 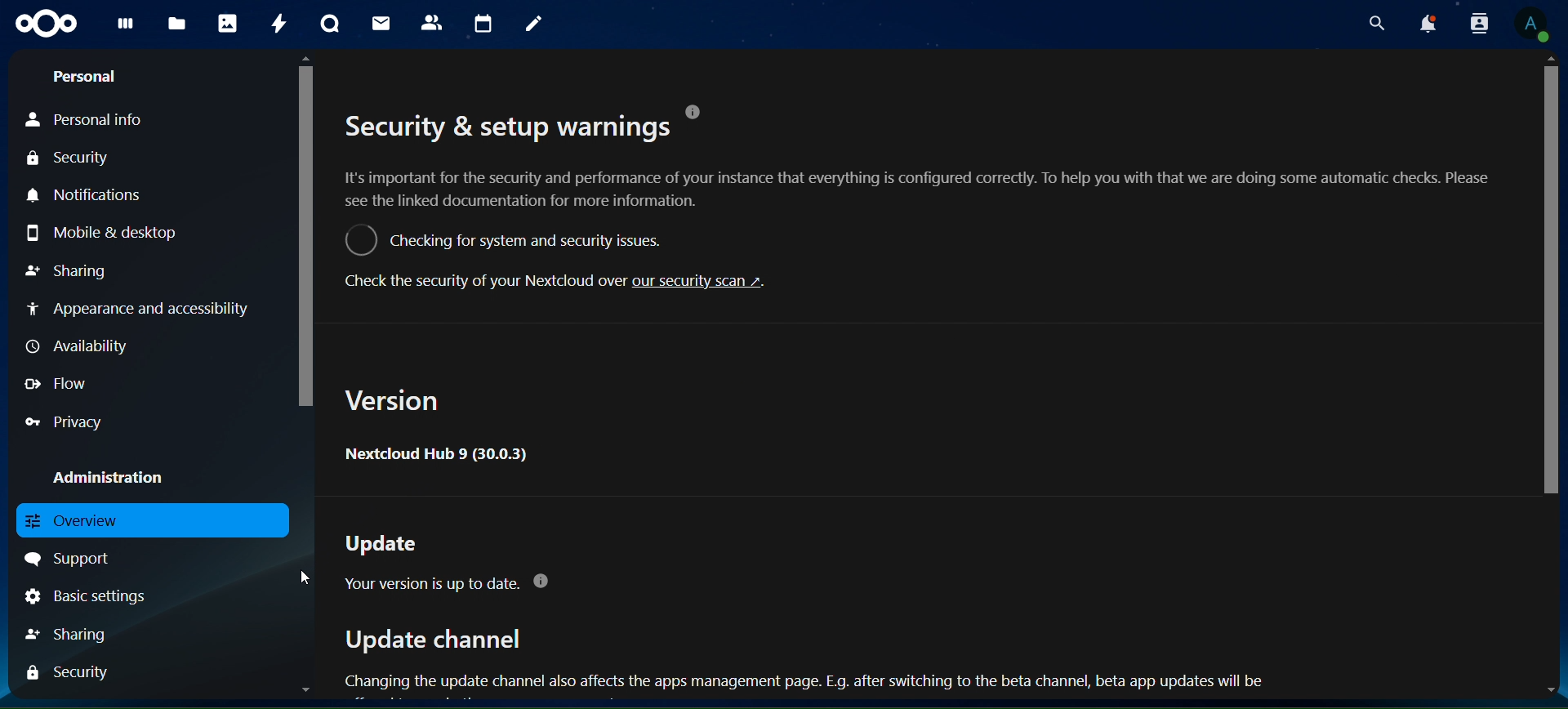 I want to click on search contacts, so click(x=1479, y=25).